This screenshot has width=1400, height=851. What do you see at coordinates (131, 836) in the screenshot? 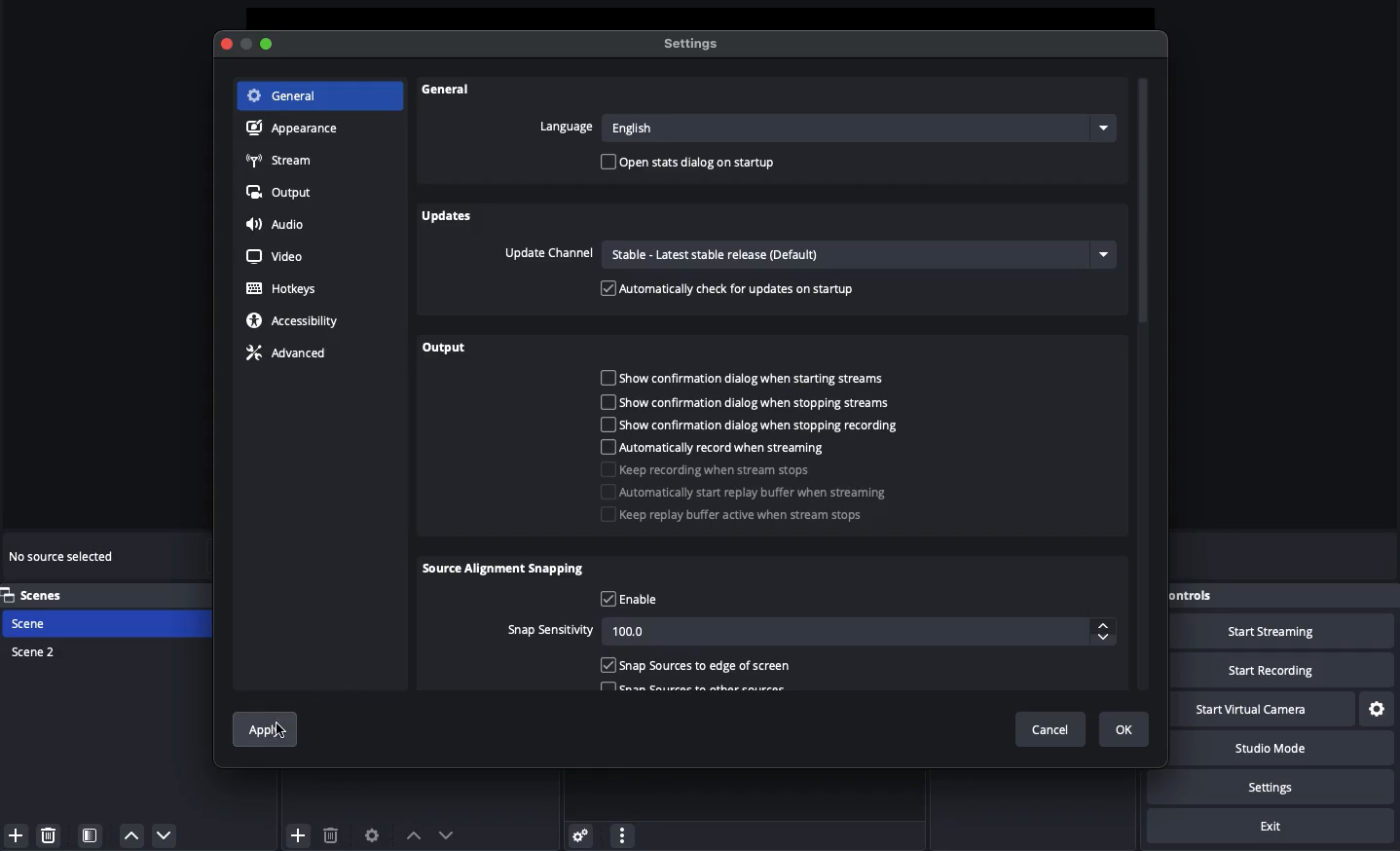
I see `Move up` at bounding box center [131, 836].